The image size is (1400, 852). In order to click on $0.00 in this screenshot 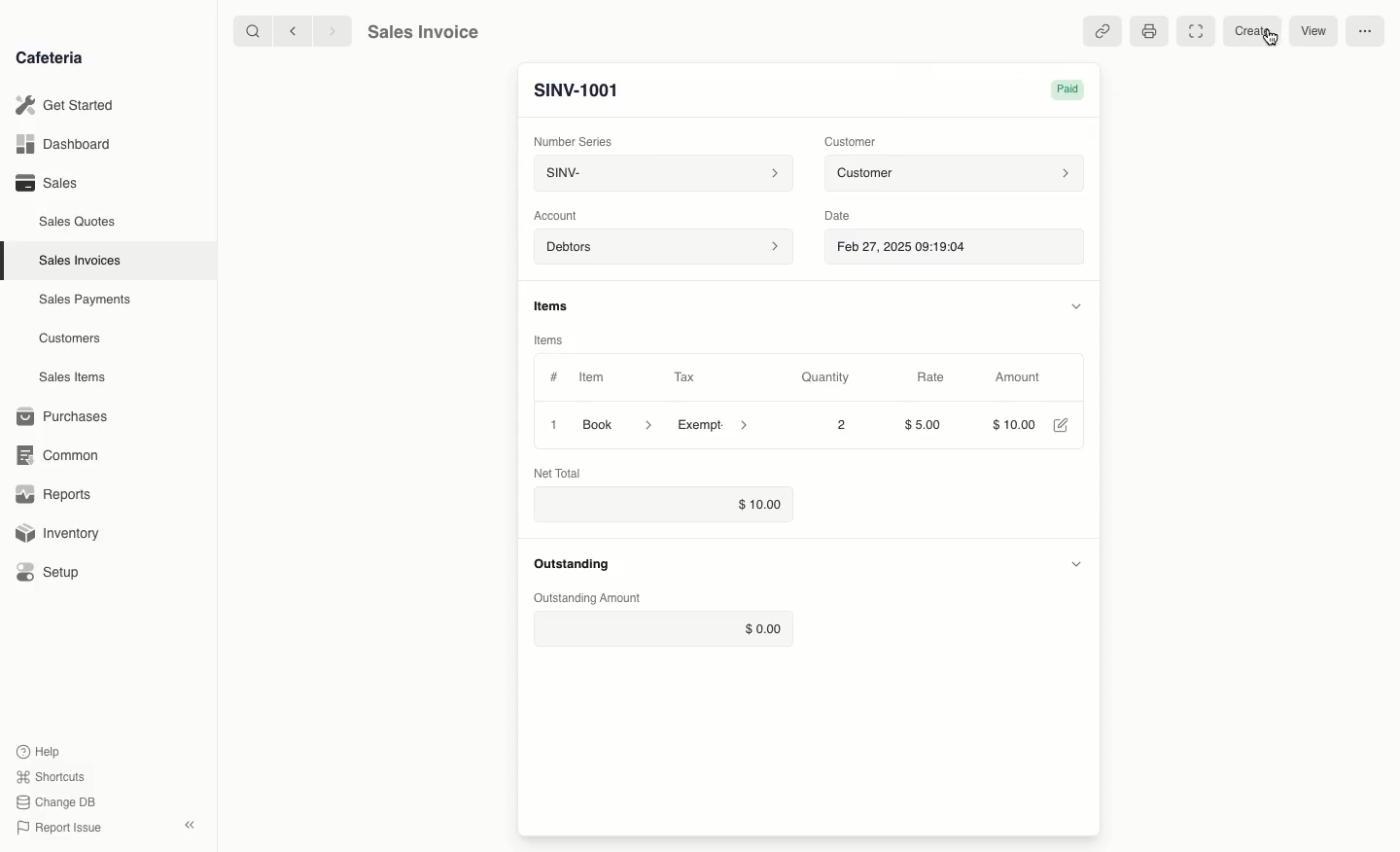, I will do `click(662, 628)`.